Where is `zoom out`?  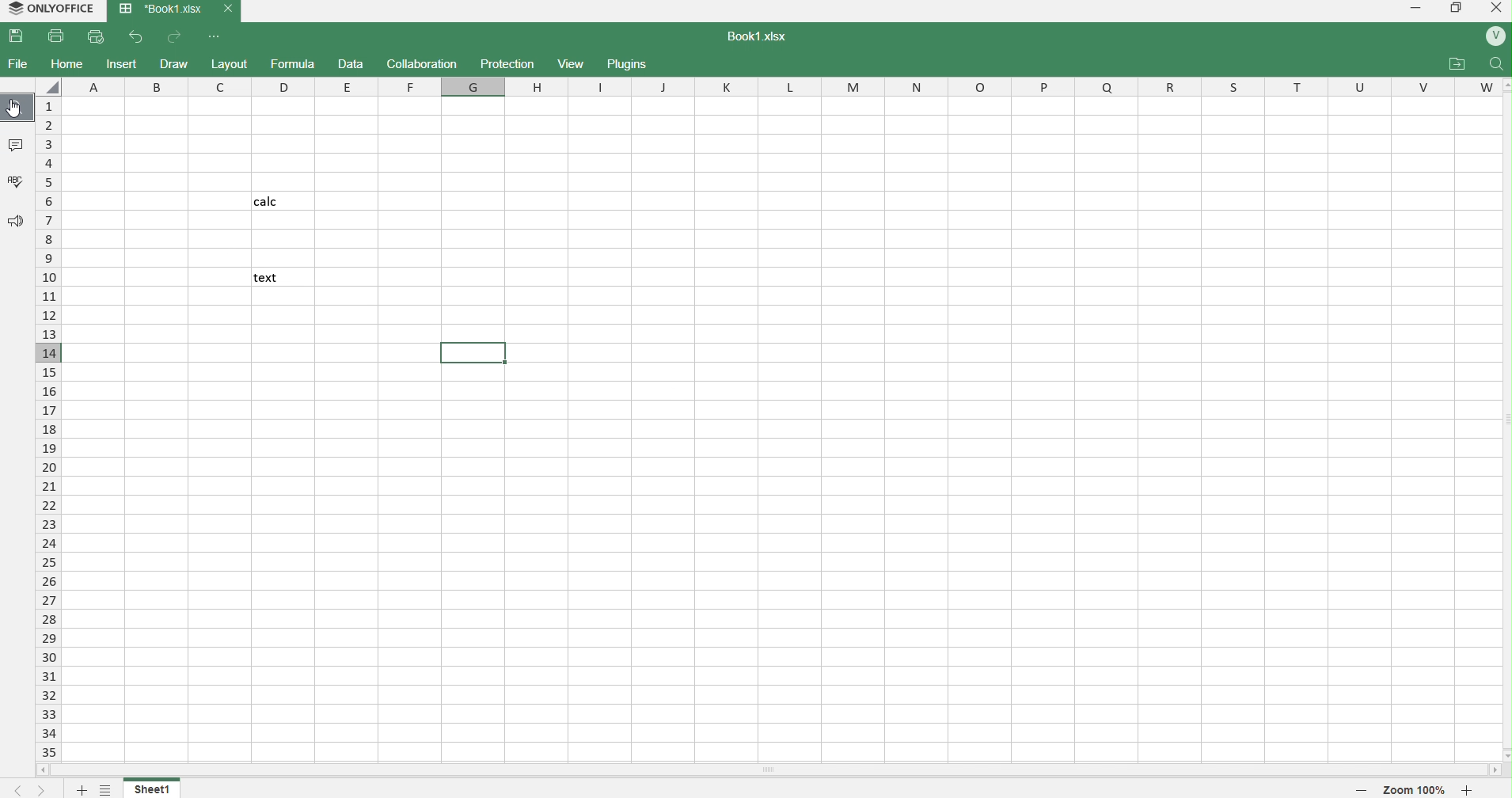
zoom out is located at coordinates (1359, 791).